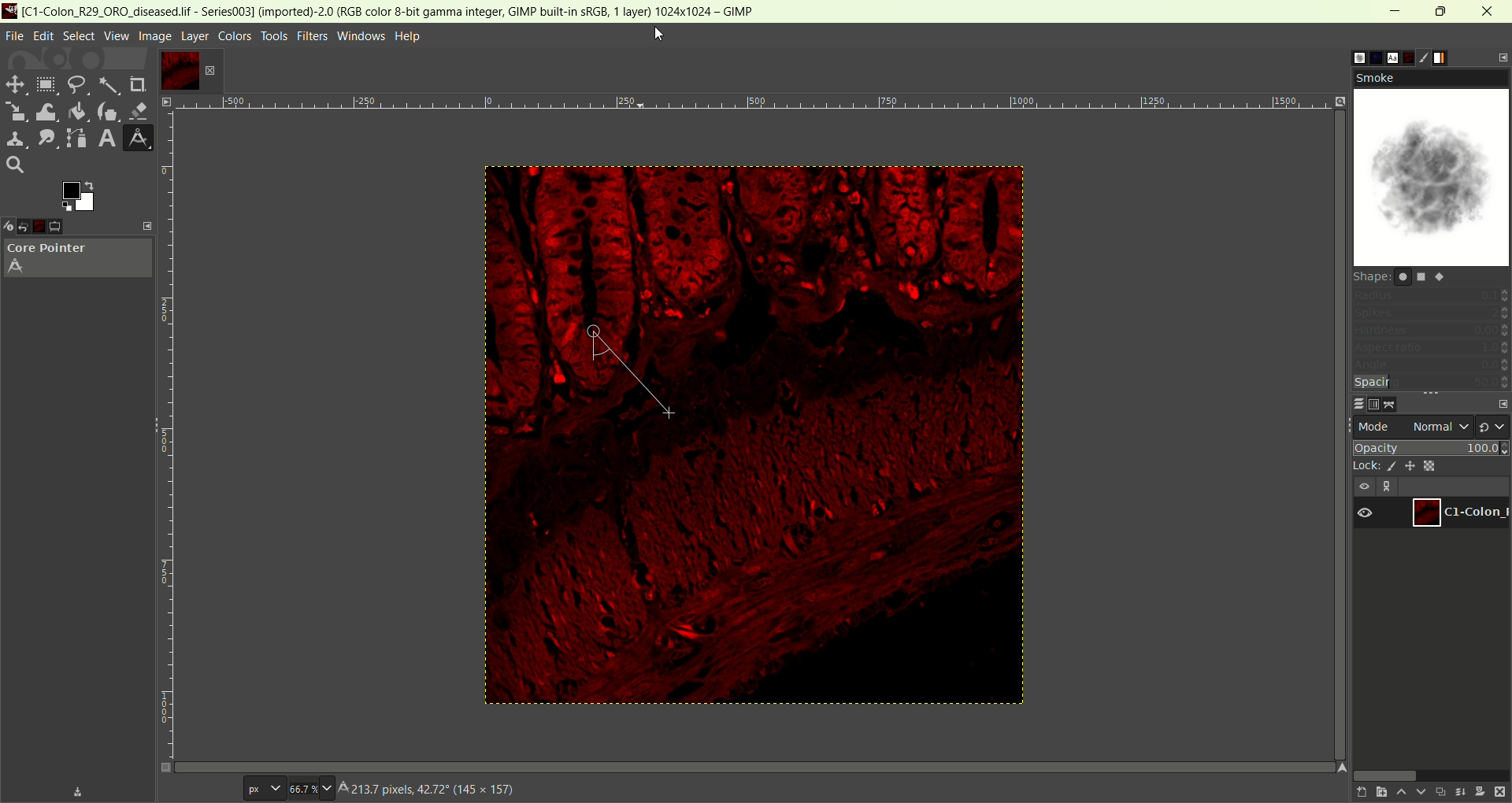  Describe the element at coordinates (665, 413) in the screenshot. I see `cursor` at that location.